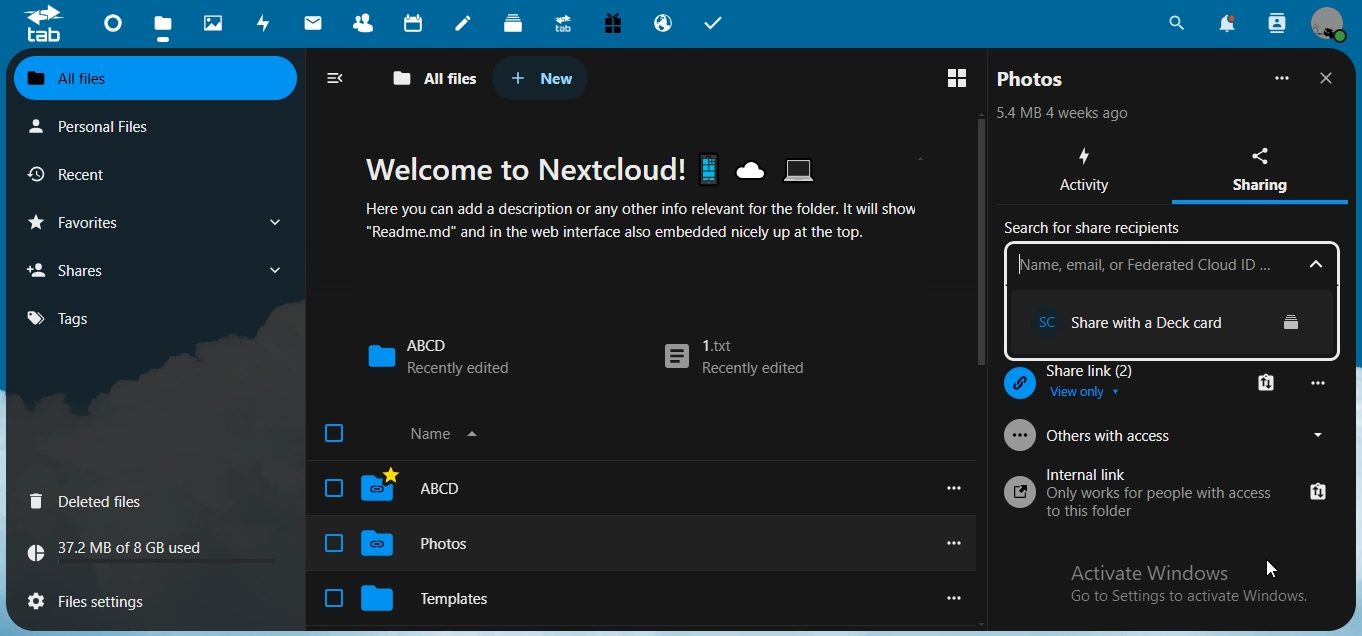  Describe the element at coordinates (340, 78) in the screenshot. I see `close navigation` at that location.